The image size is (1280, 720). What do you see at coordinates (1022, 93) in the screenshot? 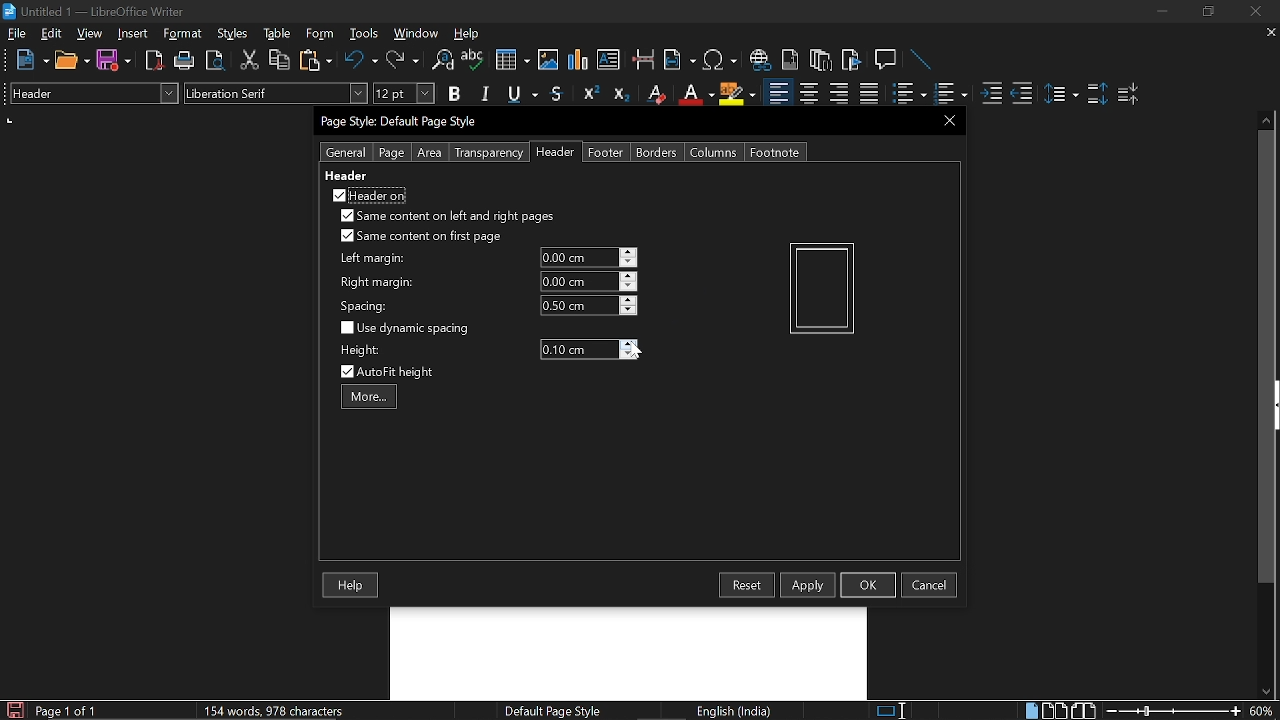
I see `Decrease indent` at bounding box center [1022, 93].